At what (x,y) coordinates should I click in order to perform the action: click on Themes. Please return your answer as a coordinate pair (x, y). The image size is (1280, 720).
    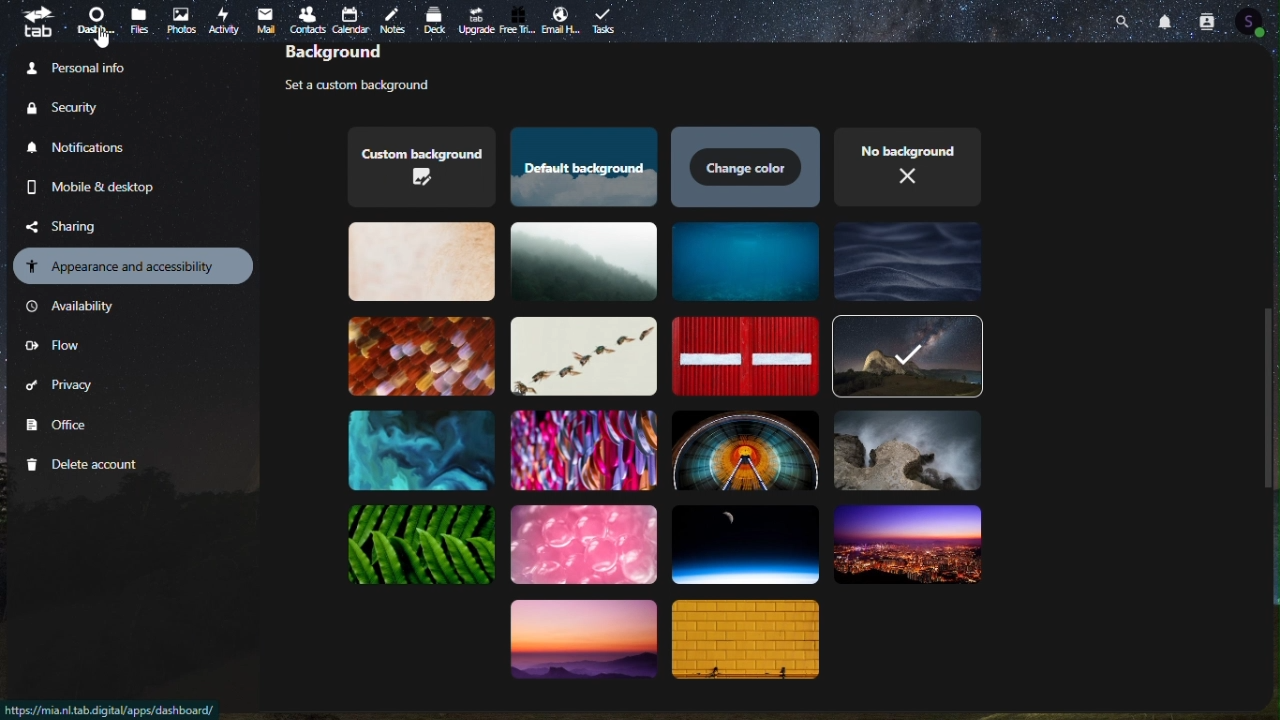
    Looking at the image, I should click on (579, 168).